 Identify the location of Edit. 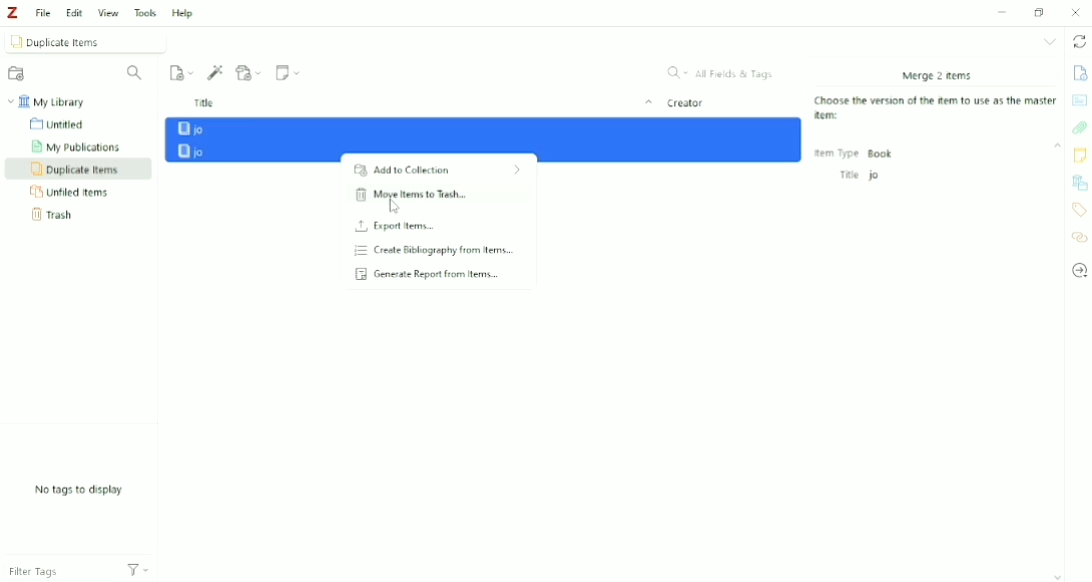
(74, 12).